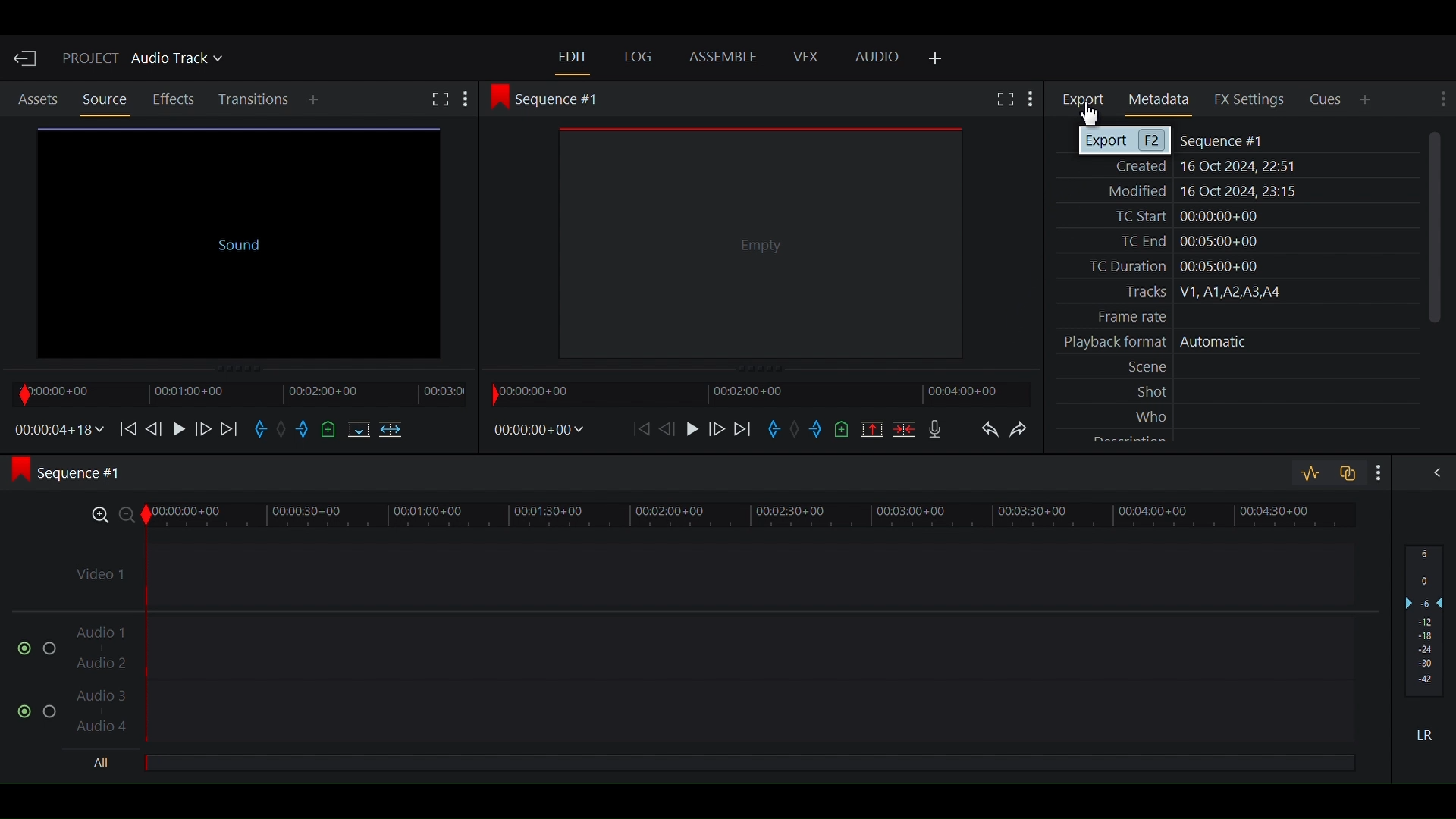 The height and width of the screenshot is (819, 1456). Describe the element at coordinates (202, 428) in the screenshot. I see `Nudge one frame forward` at that location.